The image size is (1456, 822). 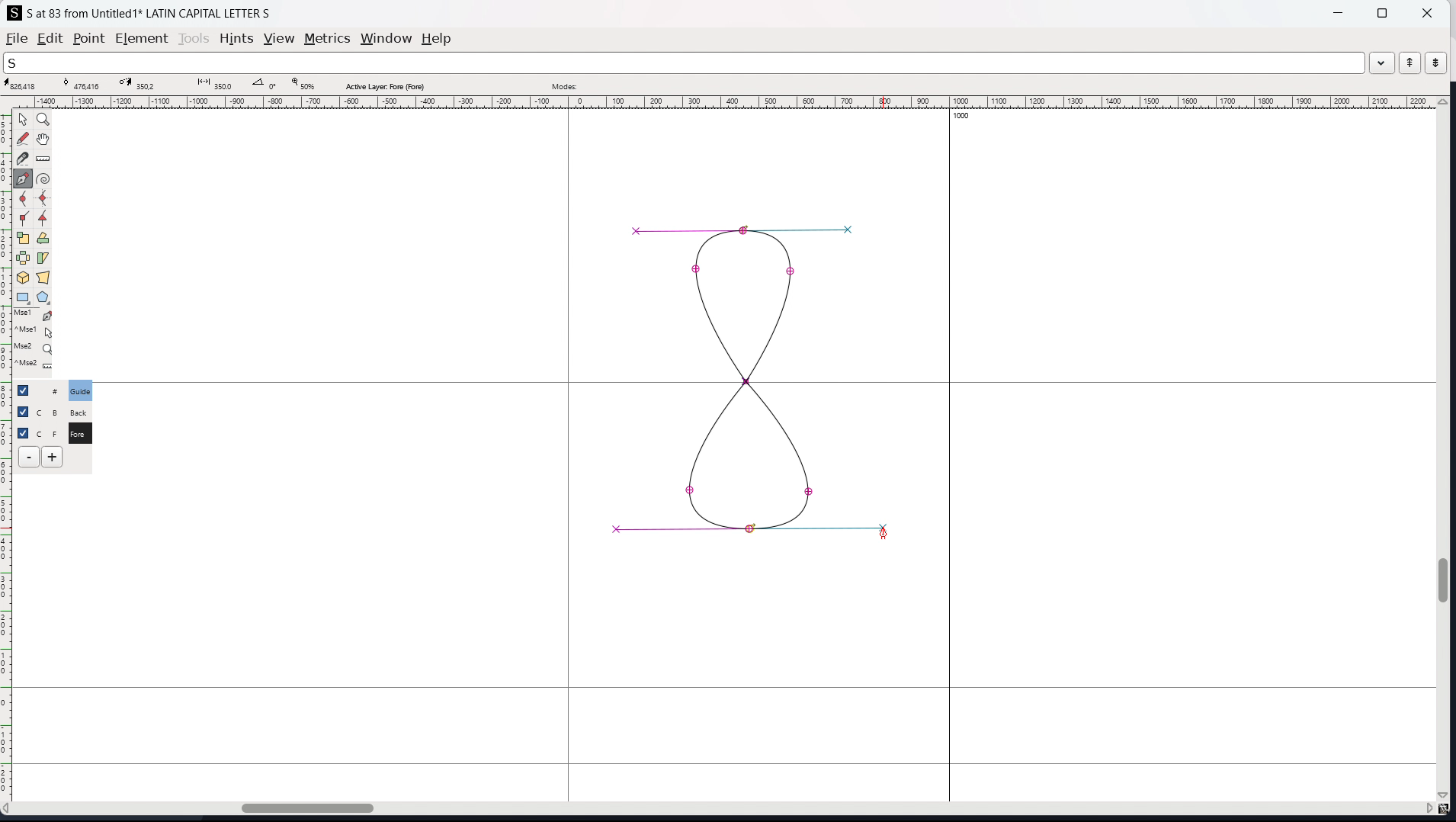 What do you see at coordinates (14, 13) in the screenshot?
I see `logo` at bounding box center [14, 13].